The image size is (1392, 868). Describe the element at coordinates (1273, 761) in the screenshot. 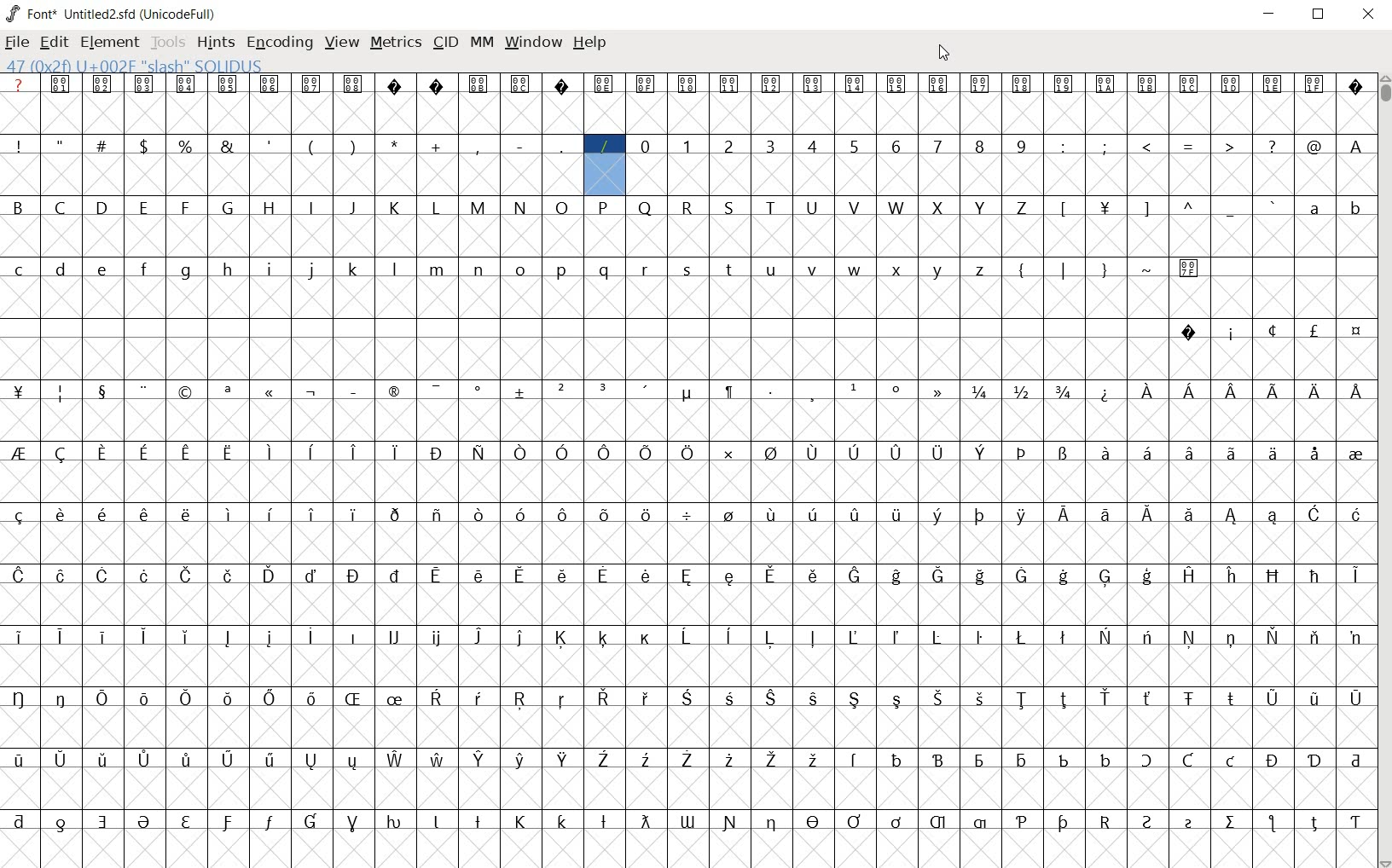

I see `glyph` at that location.